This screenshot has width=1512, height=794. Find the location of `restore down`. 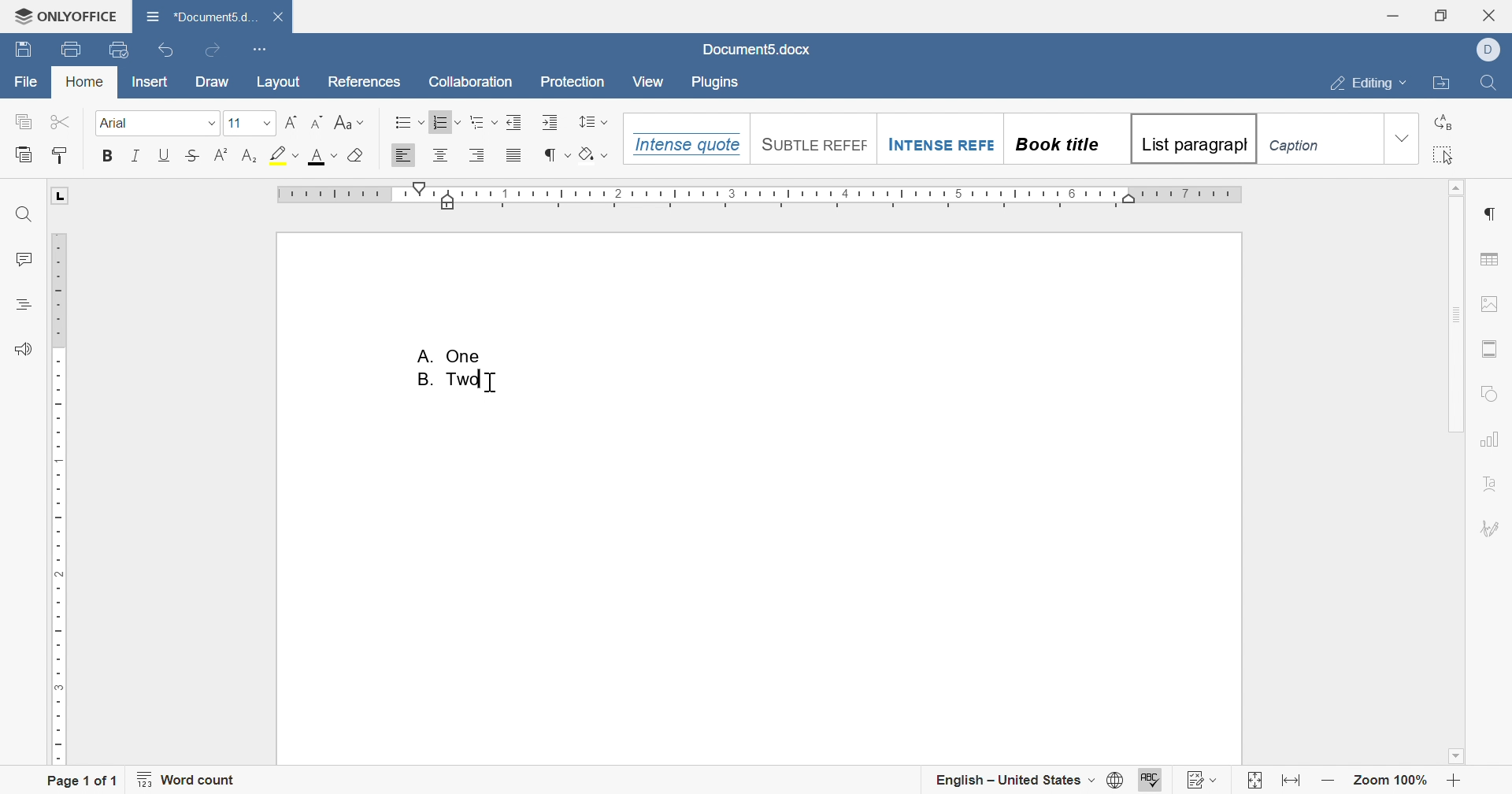

restore down is located at coordinates (1441, 15).